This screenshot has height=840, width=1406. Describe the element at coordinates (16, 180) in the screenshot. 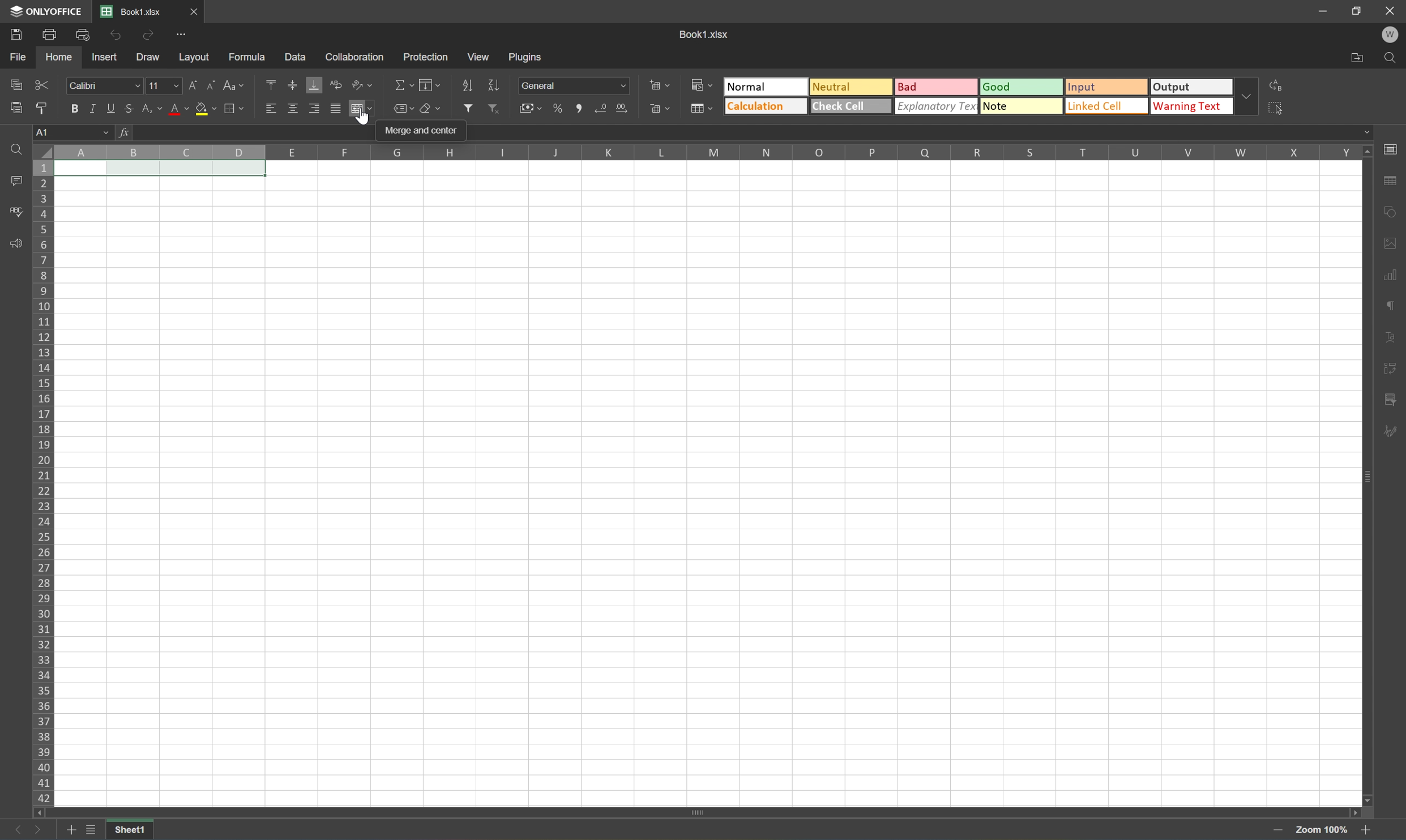

I see `Comments` at that location.